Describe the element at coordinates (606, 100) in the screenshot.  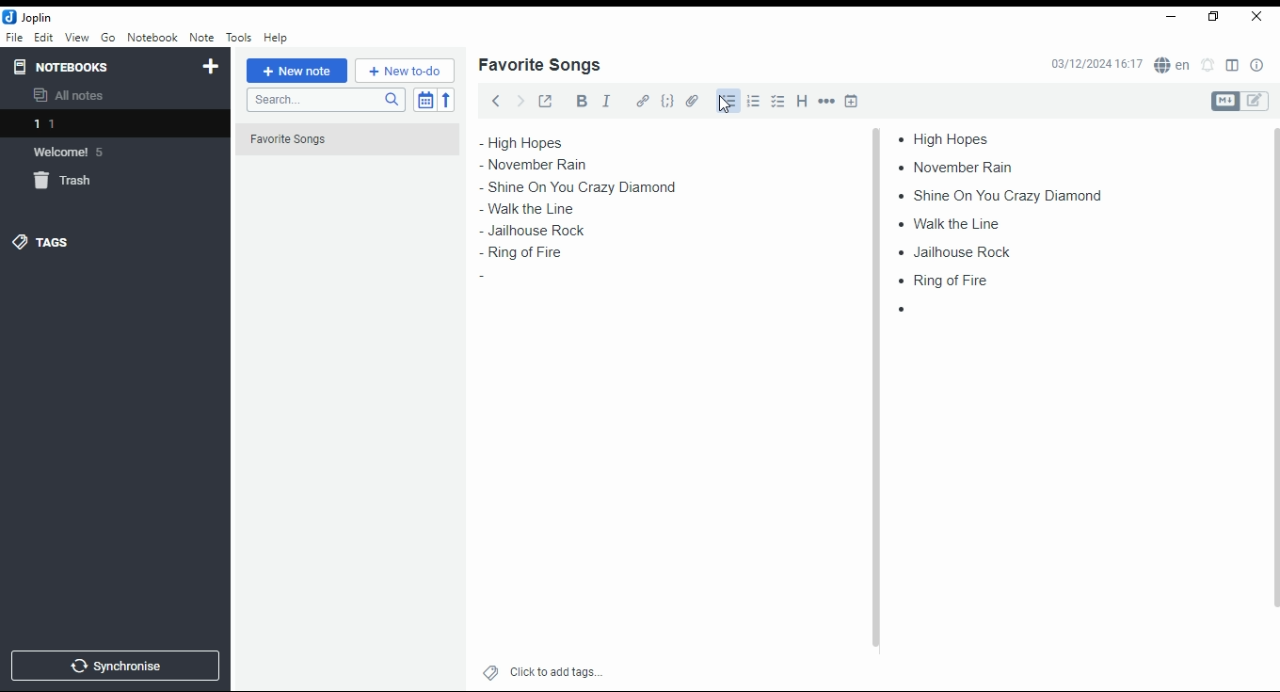
I see `italics` at that location.